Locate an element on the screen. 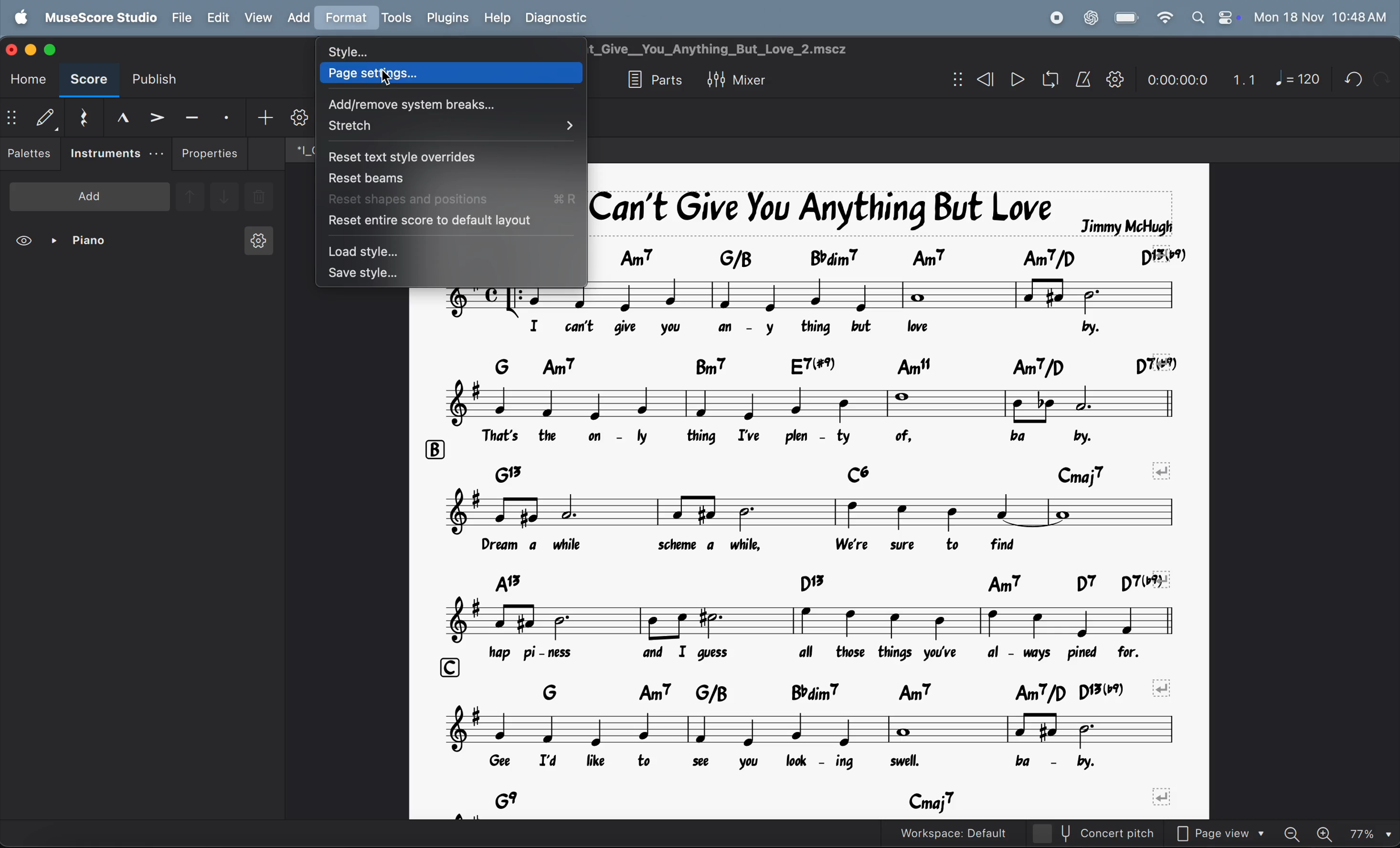 The image size is (1400, 848). date and time is located at coordinates (1320, 16).